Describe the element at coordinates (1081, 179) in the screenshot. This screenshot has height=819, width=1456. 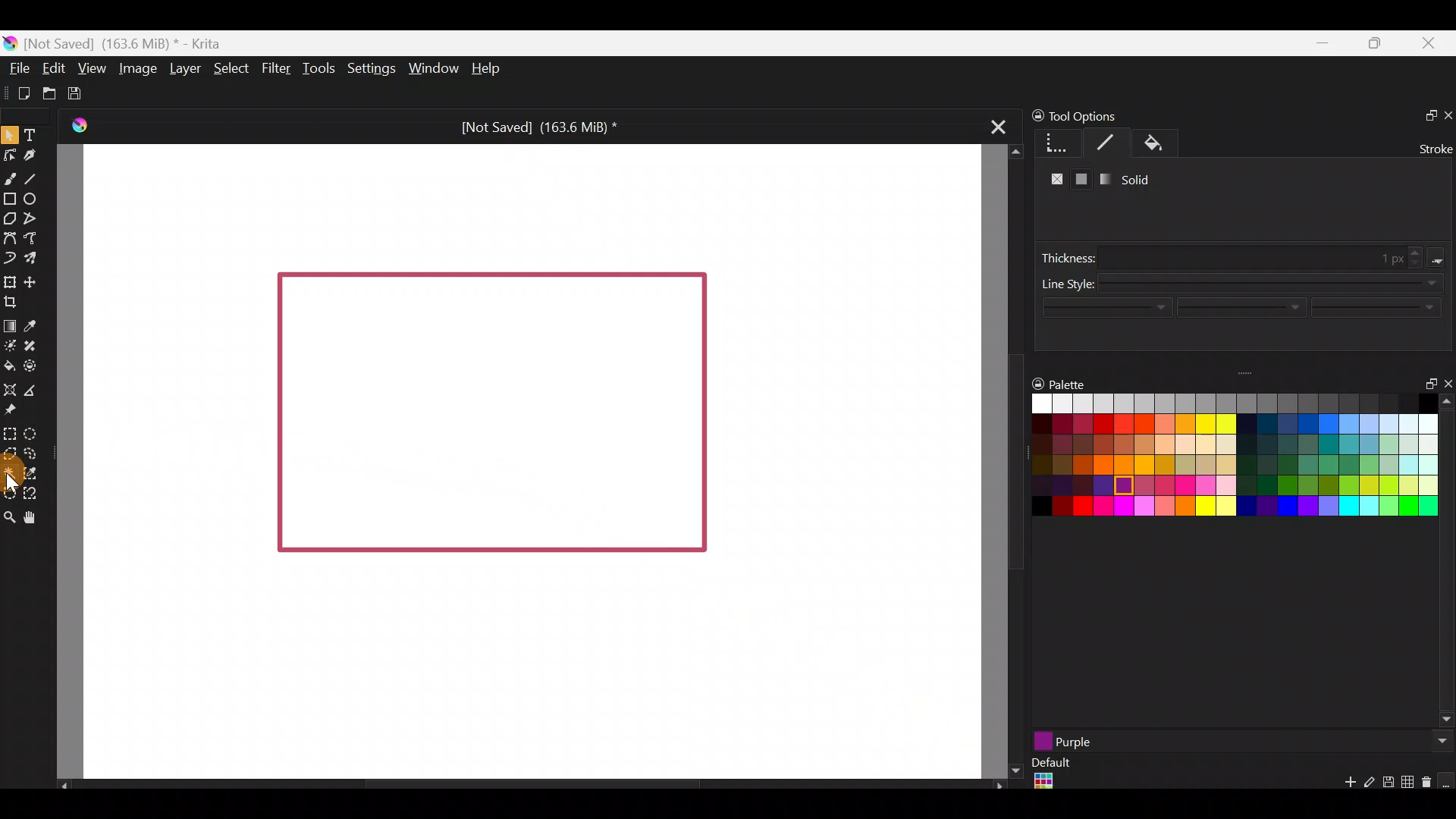
I see `Solid colour fill` at that location.